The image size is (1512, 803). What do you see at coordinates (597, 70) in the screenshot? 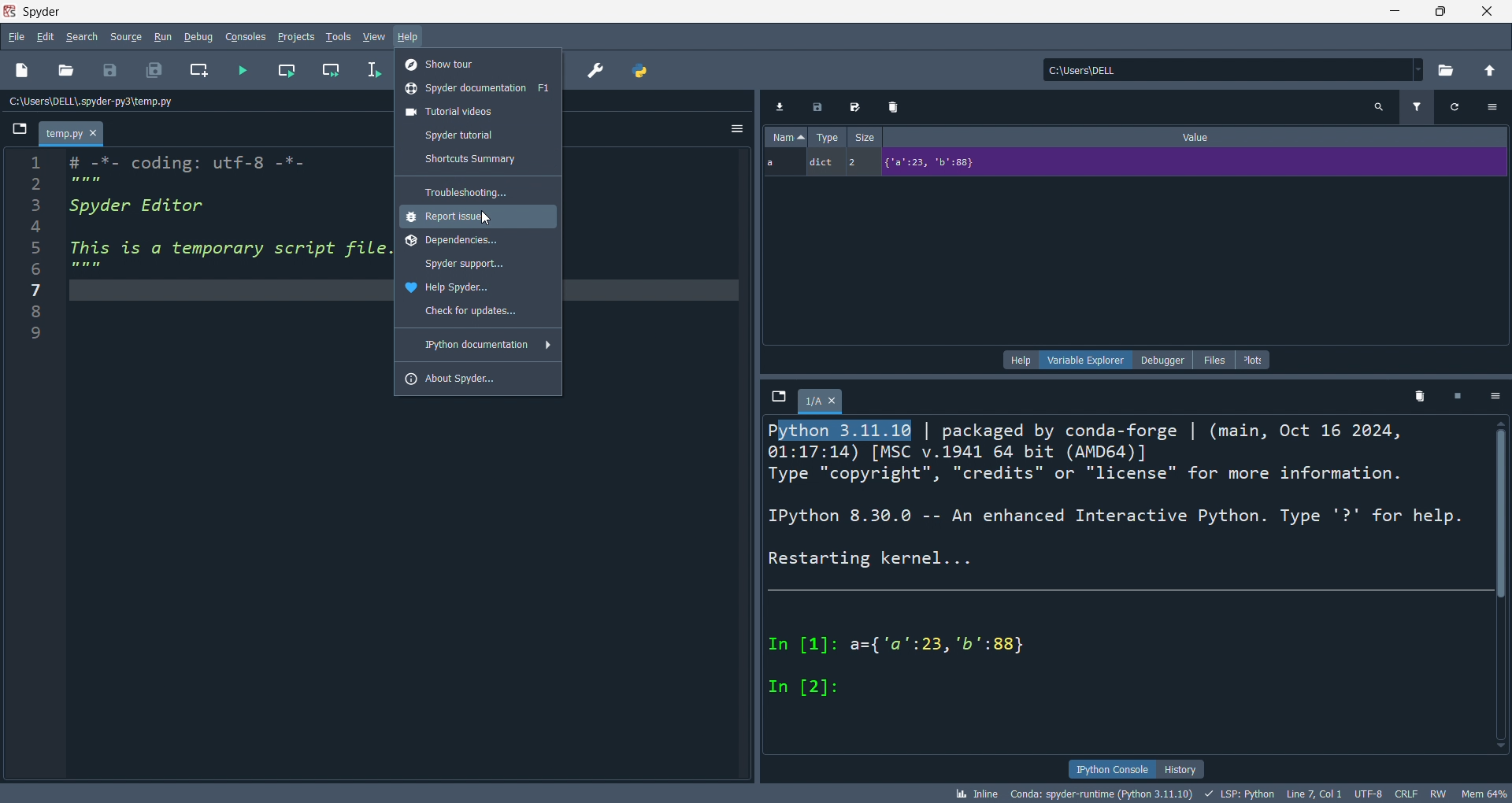
I see `preferences` at bounding box center [597, 70].